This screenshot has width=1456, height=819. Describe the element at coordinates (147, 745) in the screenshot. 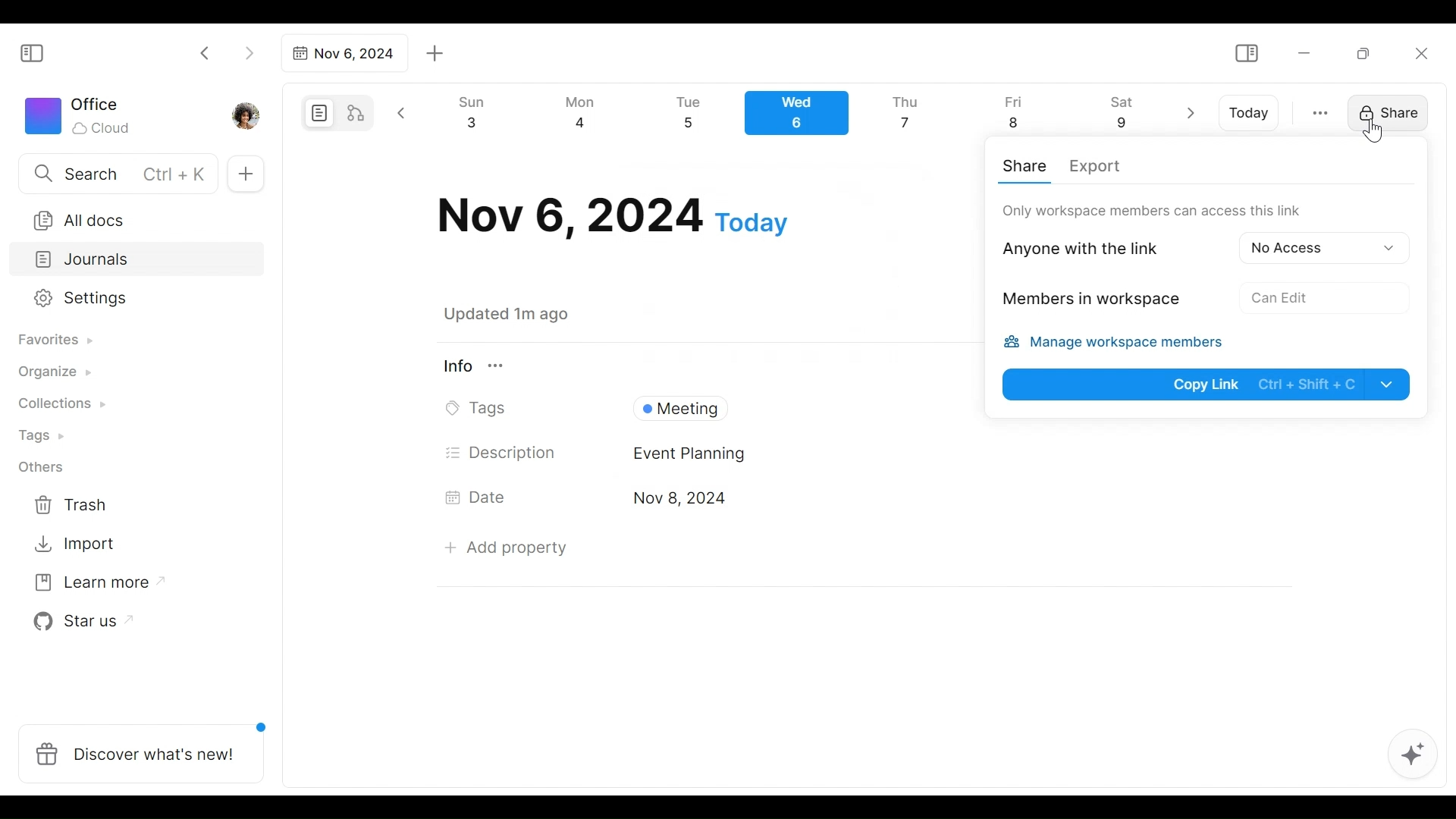

I see `Discover what's new` at that location.